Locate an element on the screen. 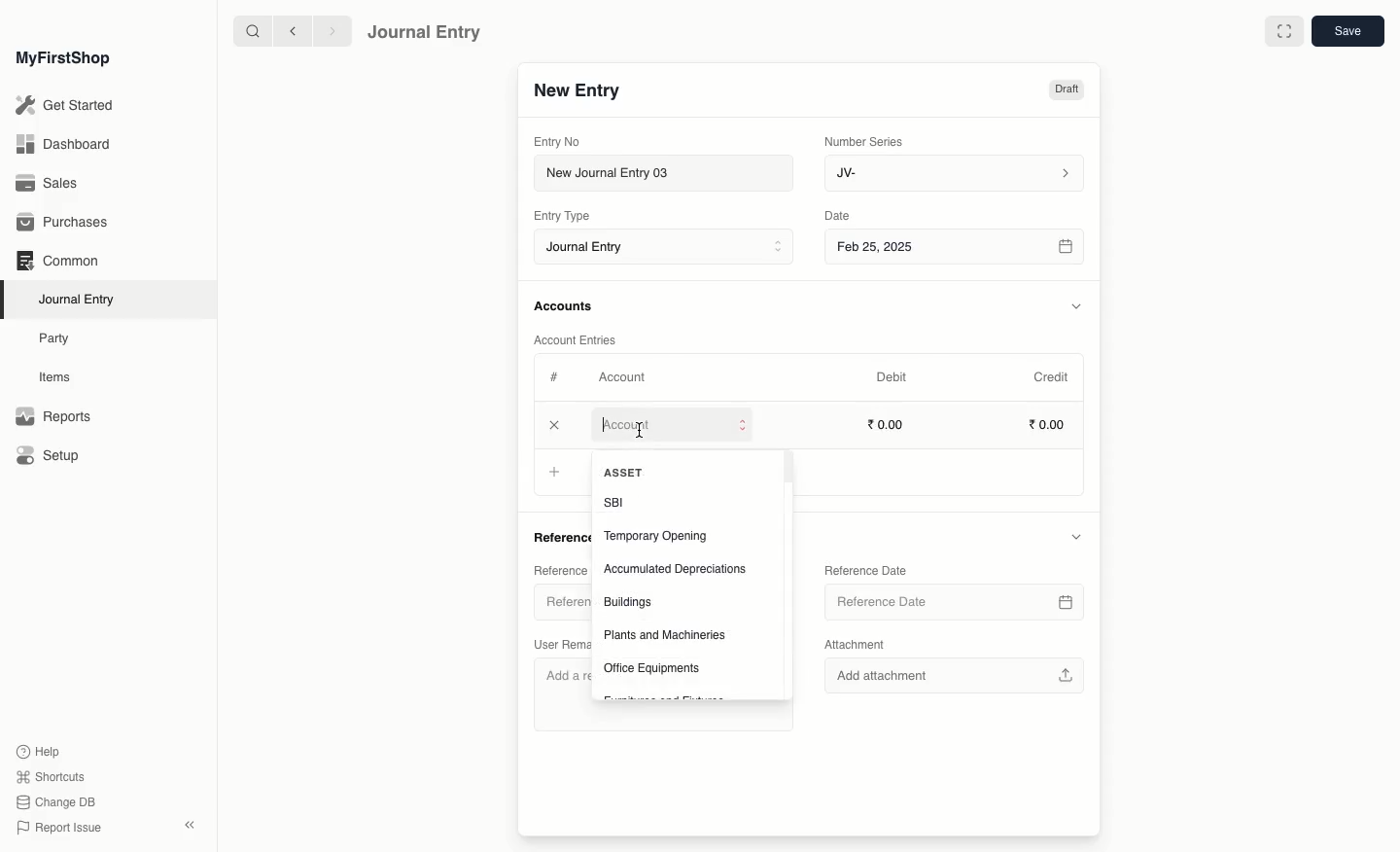  0.00 is located at coordinates (1048, 427).